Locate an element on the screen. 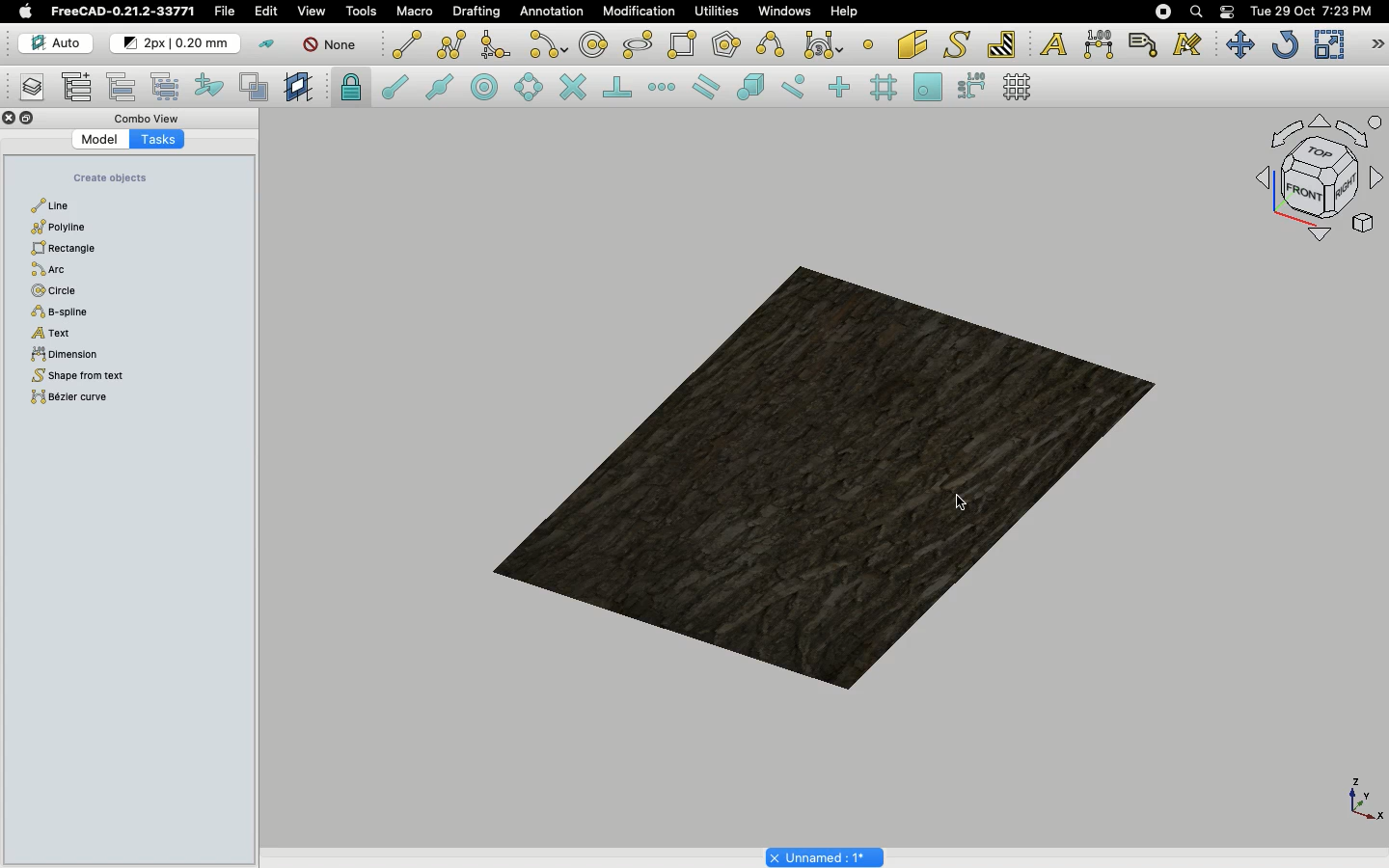 This screenshot has height=868, width=1389. Shape from text is located at coordinates (955, 44).